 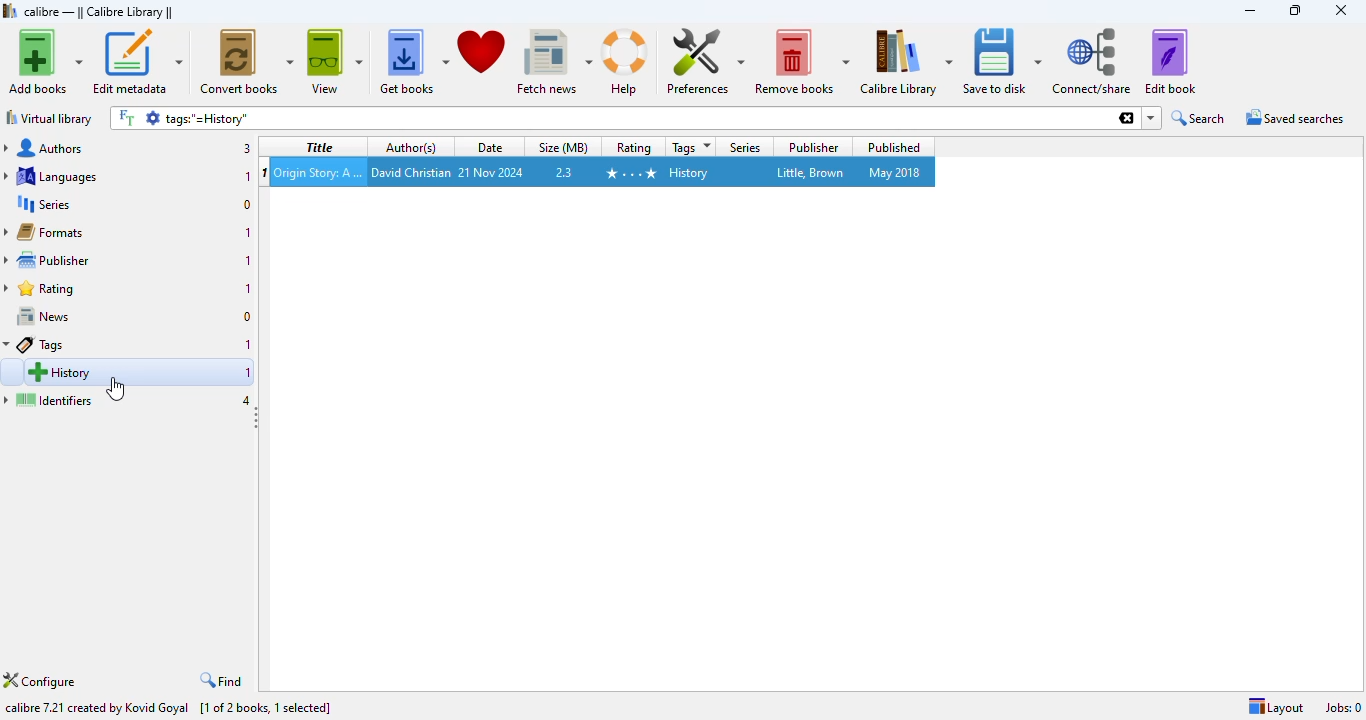 I want to click on 4 stars, so click(x=633, y=173).